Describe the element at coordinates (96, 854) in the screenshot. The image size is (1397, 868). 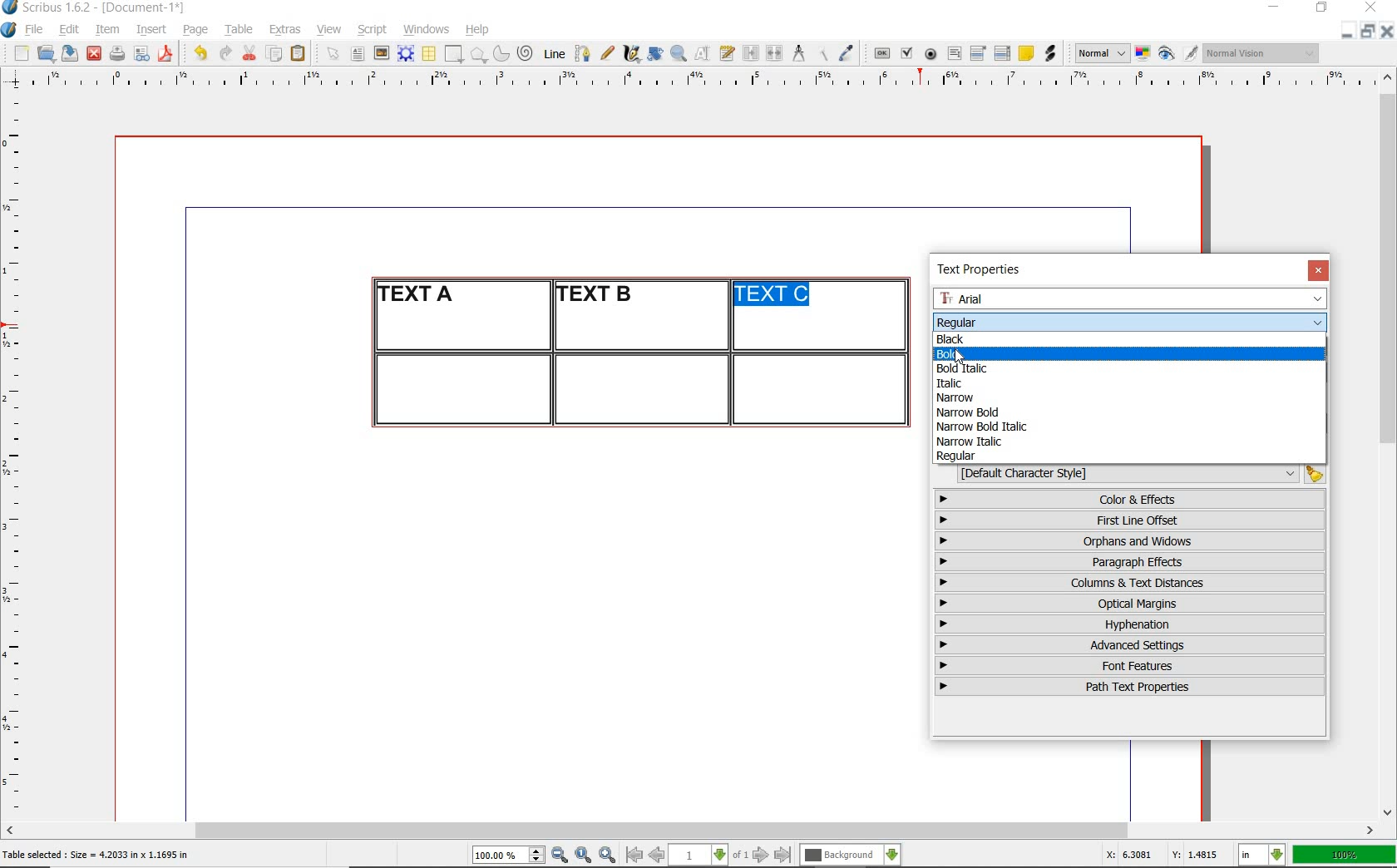
I see `Table selected : Size = 4.2033 in x 1.1695 in` at that location.